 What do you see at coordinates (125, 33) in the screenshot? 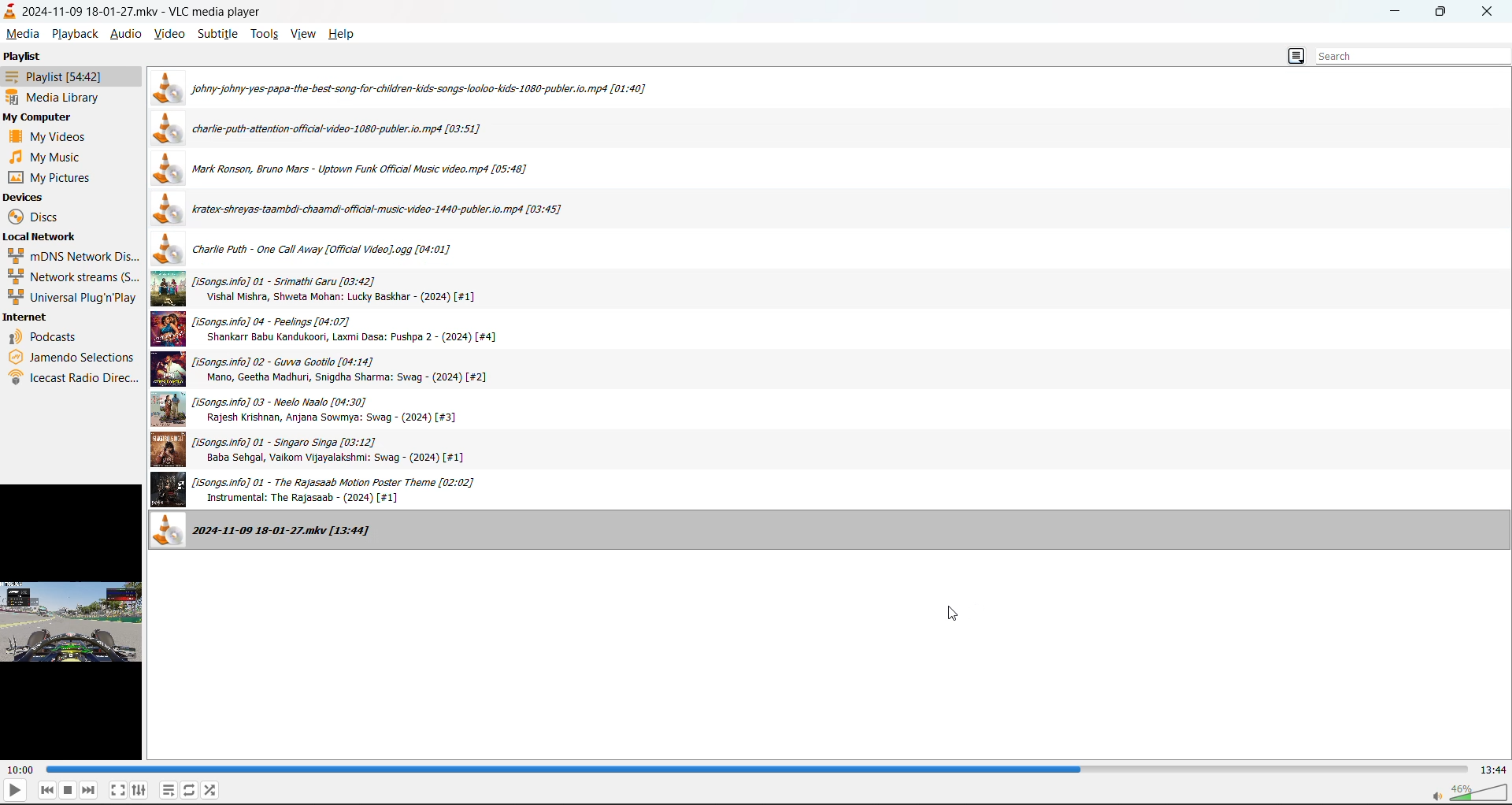
I see `audio` at bounding box center [125, 33].